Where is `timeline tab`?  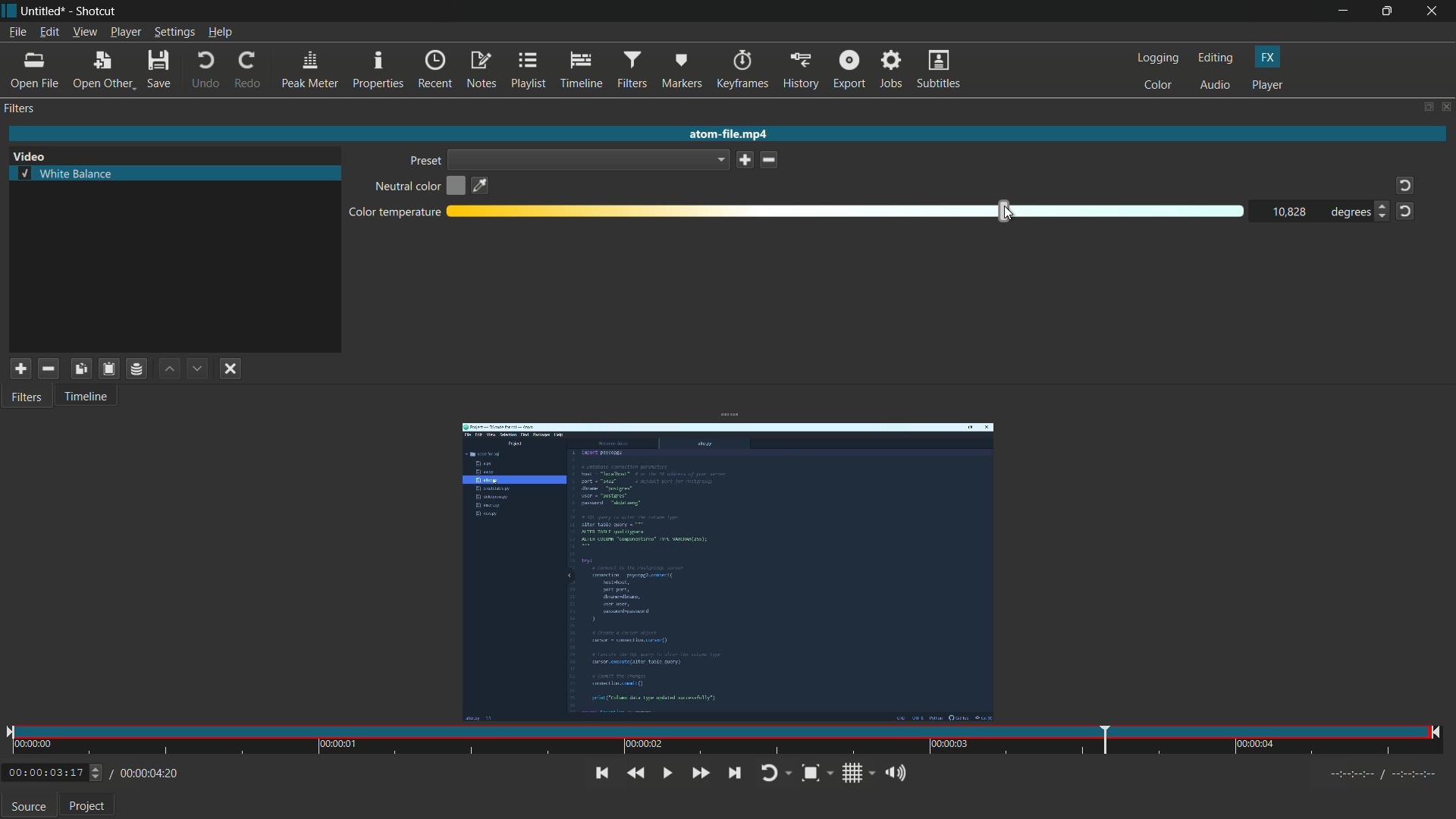
timeline tab is located at coordinates (88, 396).